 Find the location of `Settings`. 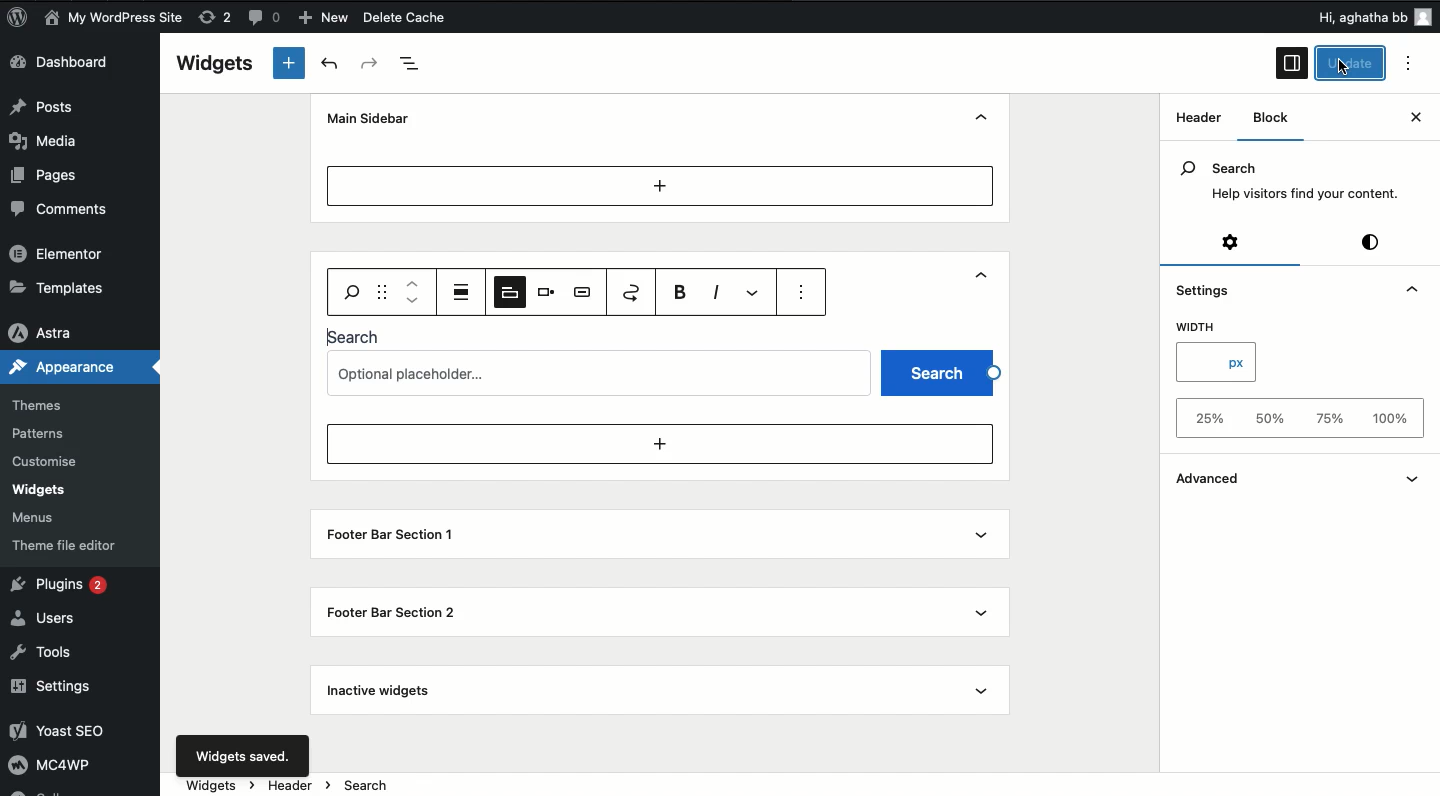

Settings is located at coordinates (1203, 287).